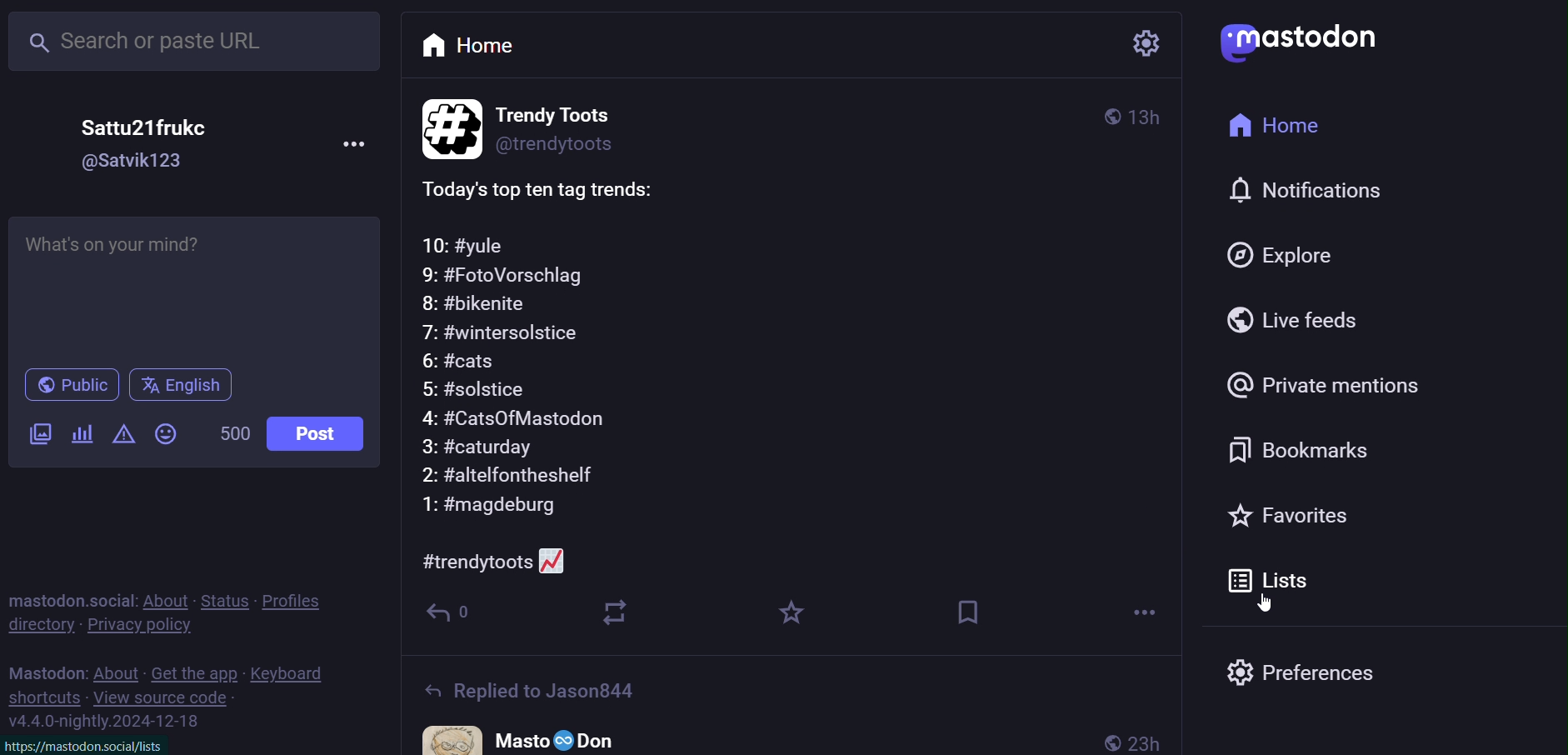 The image size is (1568, 755). What do you see at coordinates (299, 599) in the screenshot?
I see `profiles` at bounding box center [299, 599].